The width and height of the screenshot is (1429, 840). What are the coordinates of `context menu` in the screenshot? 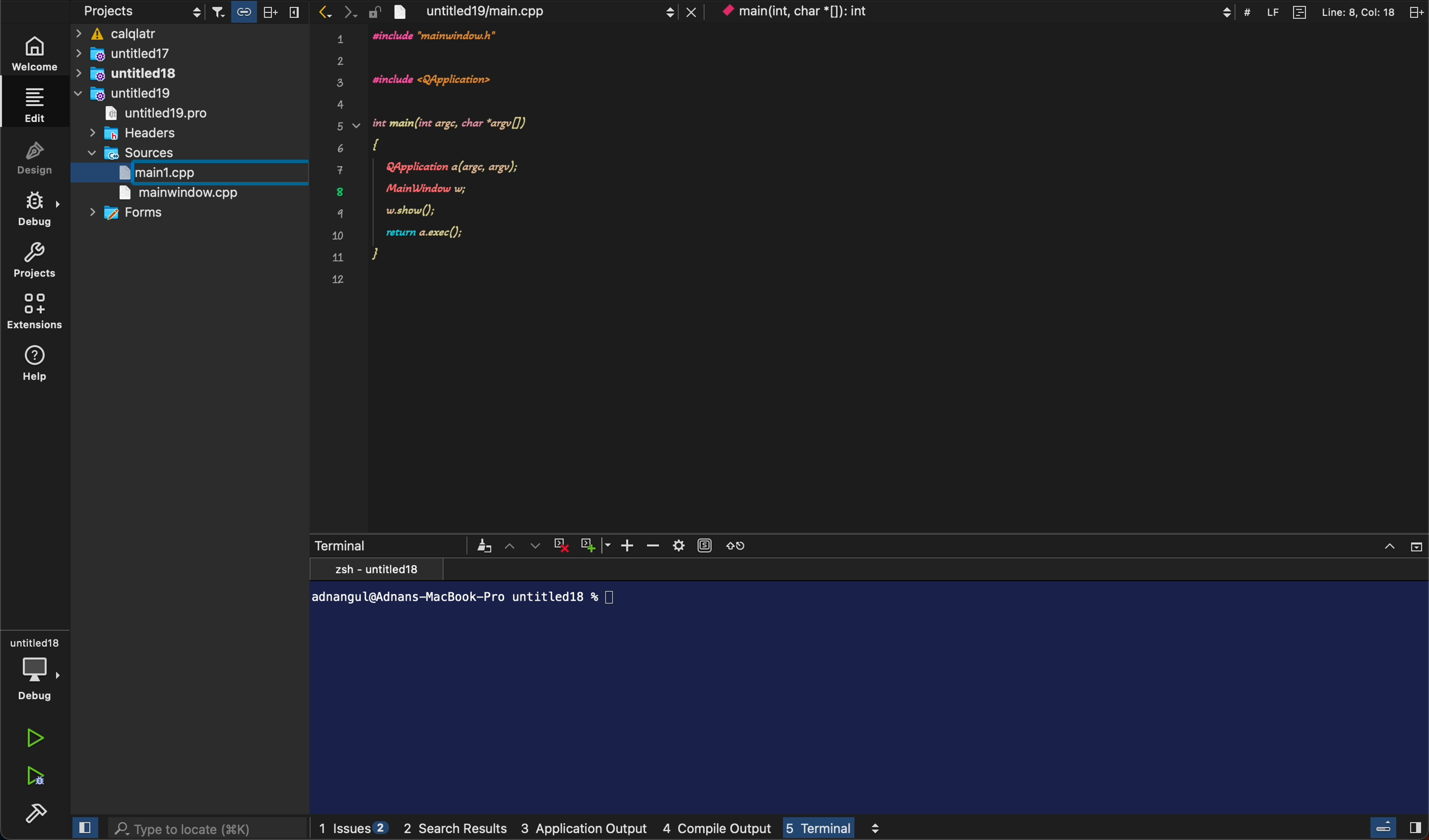 It's located at (975, 11).